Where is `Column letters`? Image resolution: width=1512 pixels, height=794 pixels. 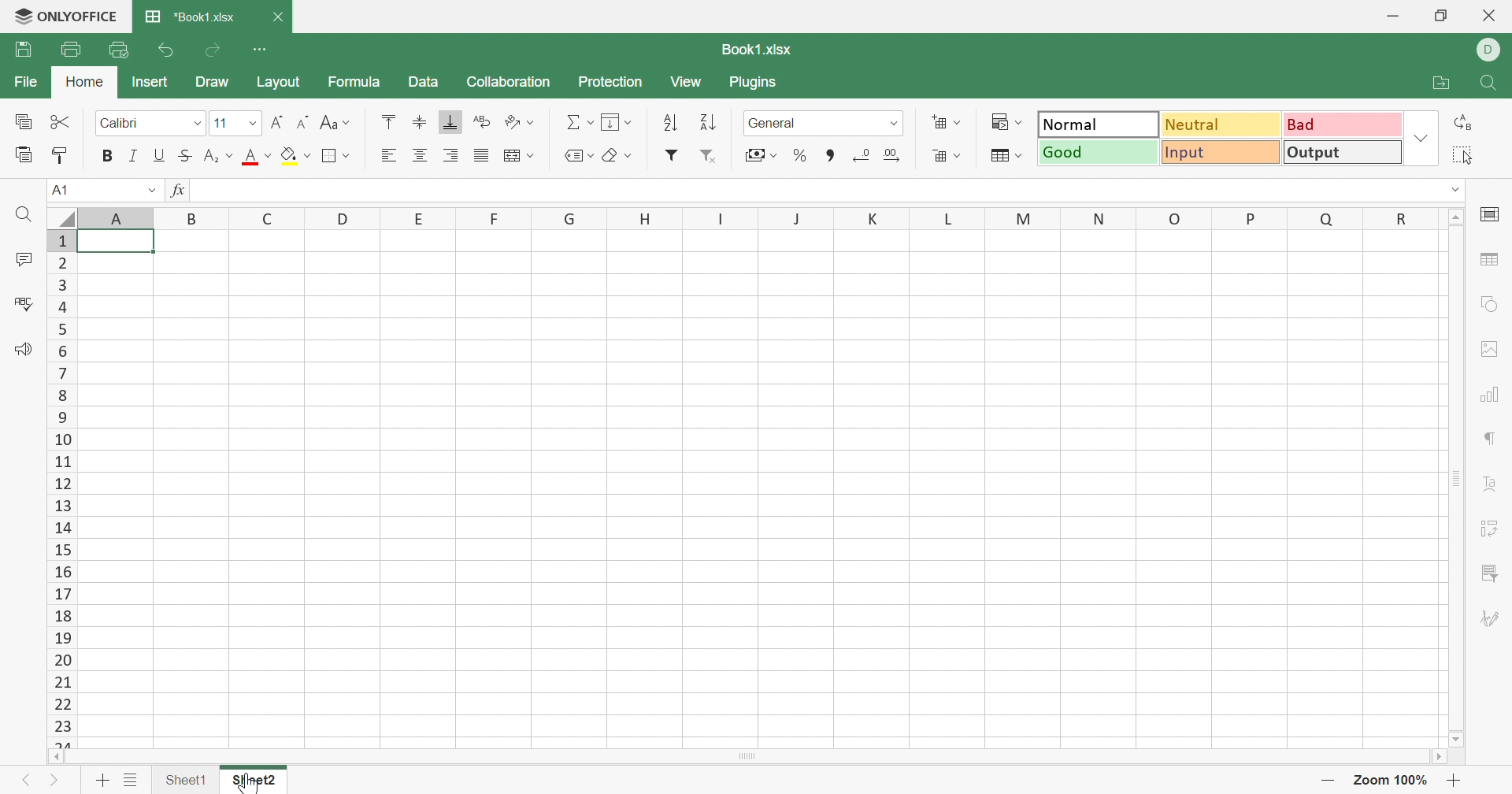
Column letters is located at coordinates (746, 217).